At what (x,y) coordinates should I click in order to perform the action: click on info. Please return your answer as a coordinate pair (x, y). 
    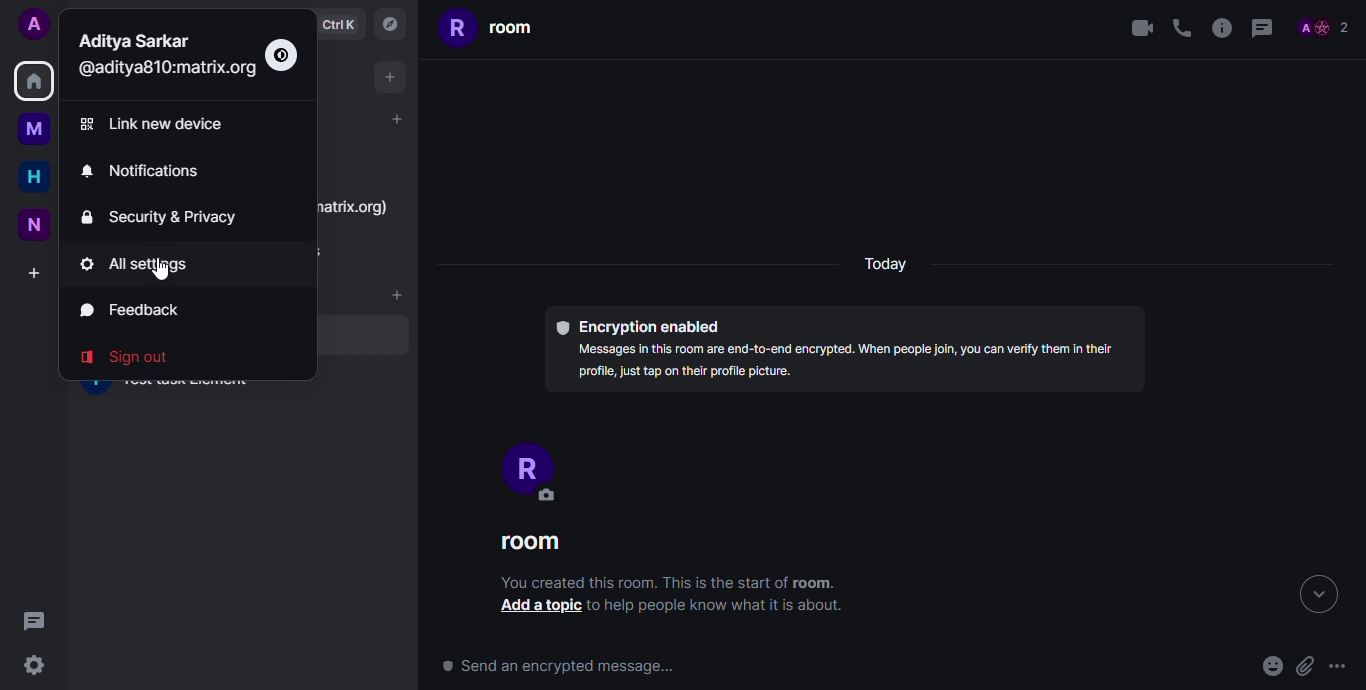
    Looking at the image, I should click on (847, 365).